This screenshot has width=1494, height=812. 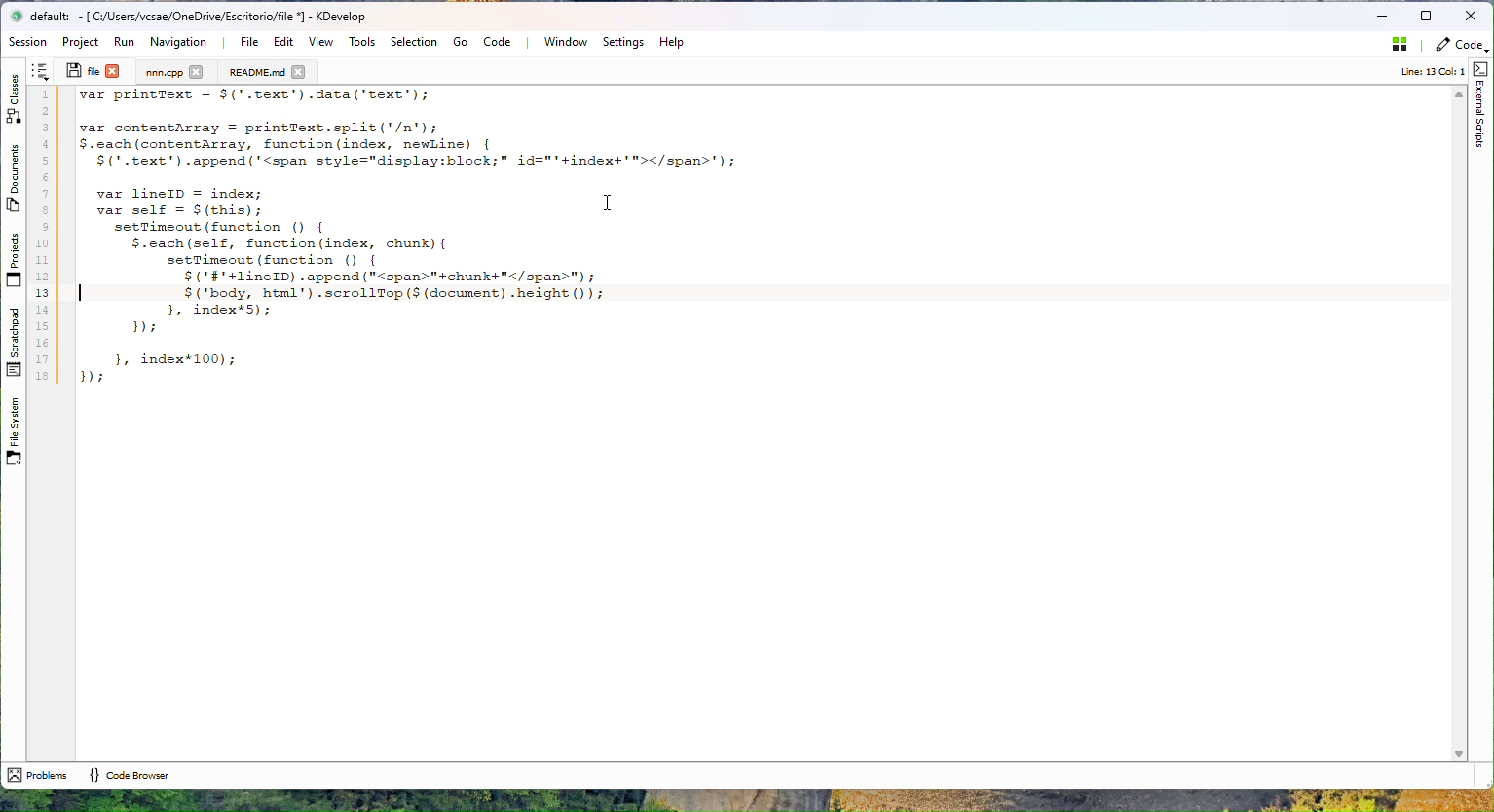 What do you see at coordinates (82, 70) in the screenshot?
I see `File` at bounding box center [82, 70].